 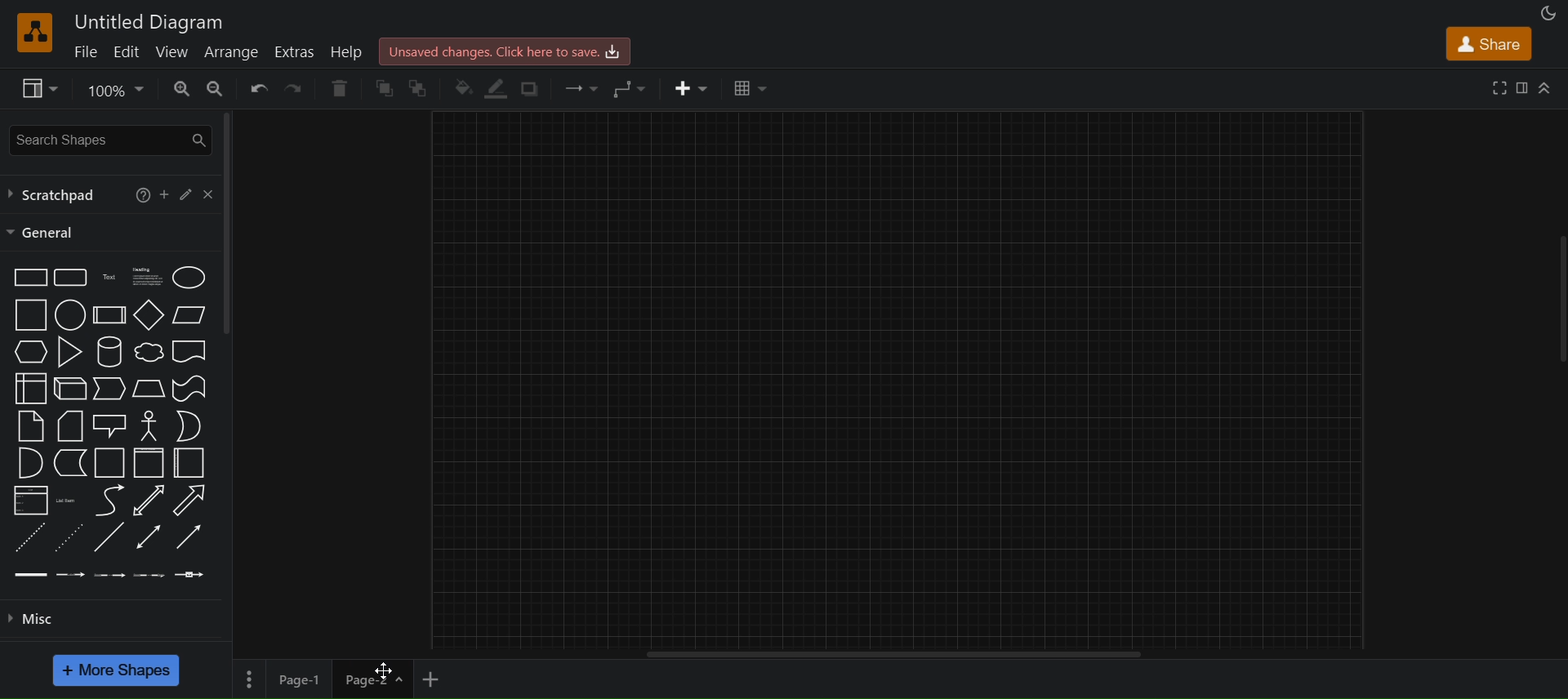 I want to click on logo, so click(x=32, y=33).